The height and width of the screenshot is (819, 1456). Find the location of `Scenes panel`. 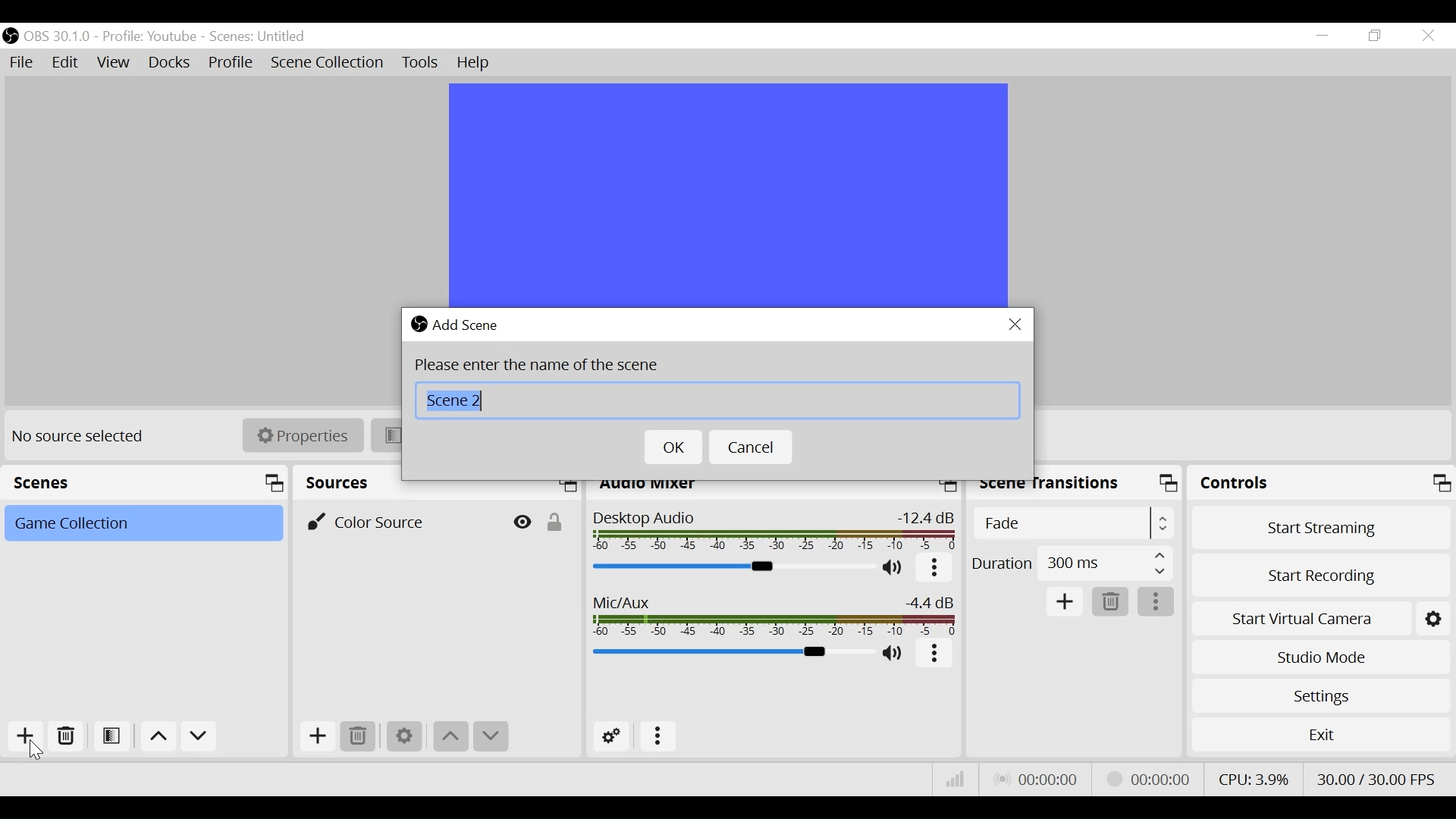

Scenes panel is located at coordinates (147, 483).